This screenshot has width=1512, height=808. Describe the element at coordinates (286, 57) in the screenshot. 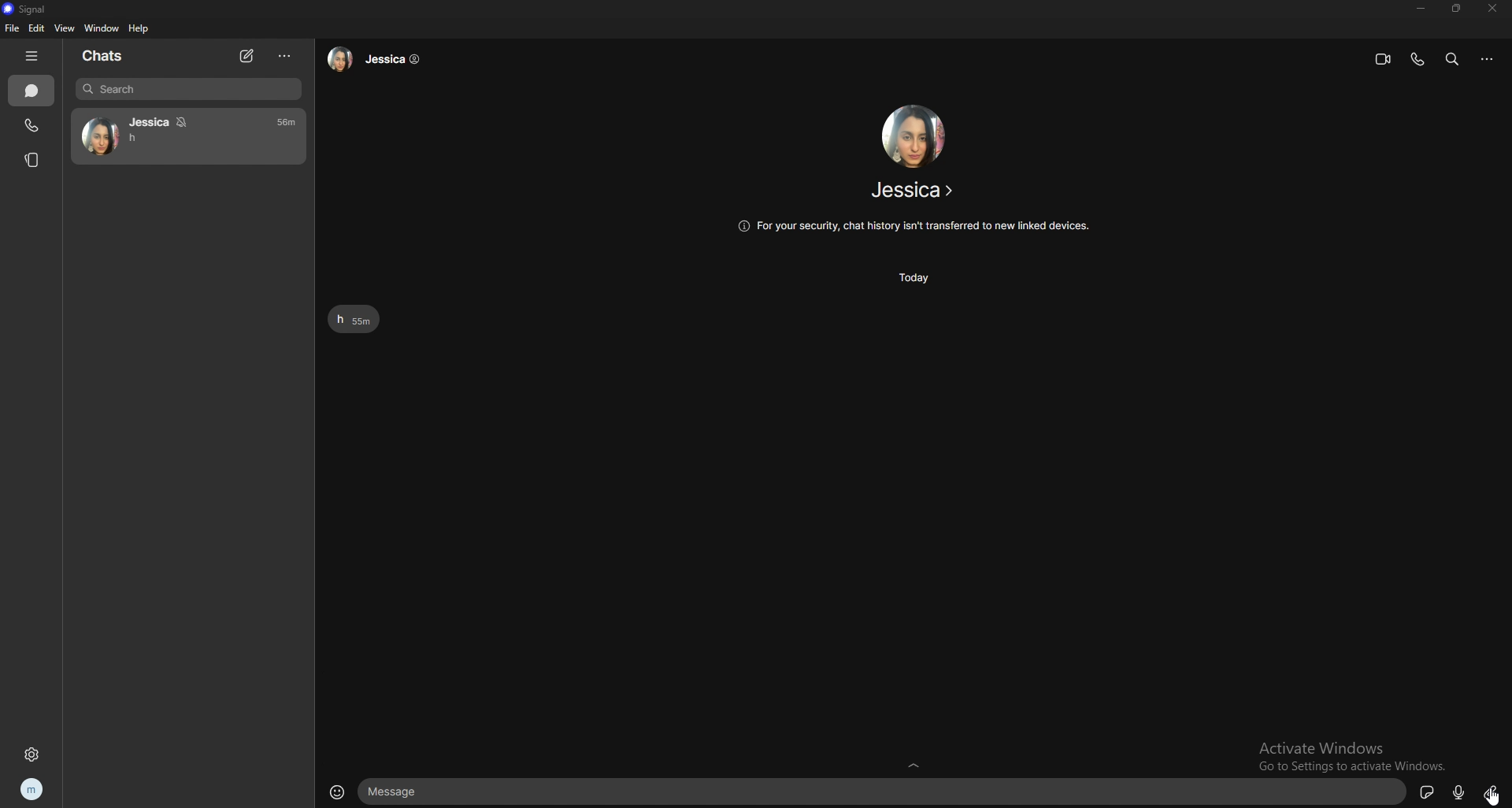

I see `options` at that location.